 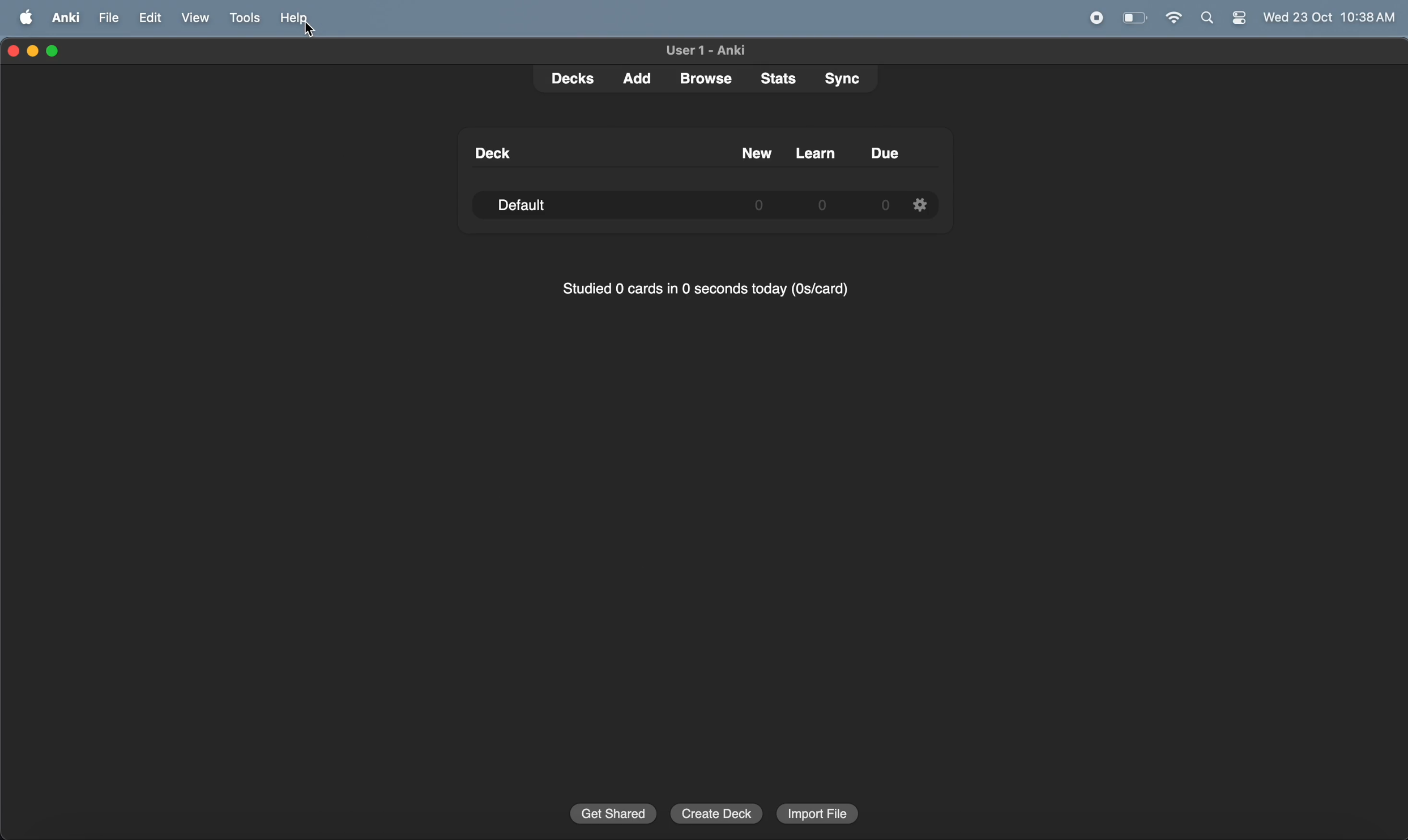 I want to click on 0, so click(x=759, y=206).